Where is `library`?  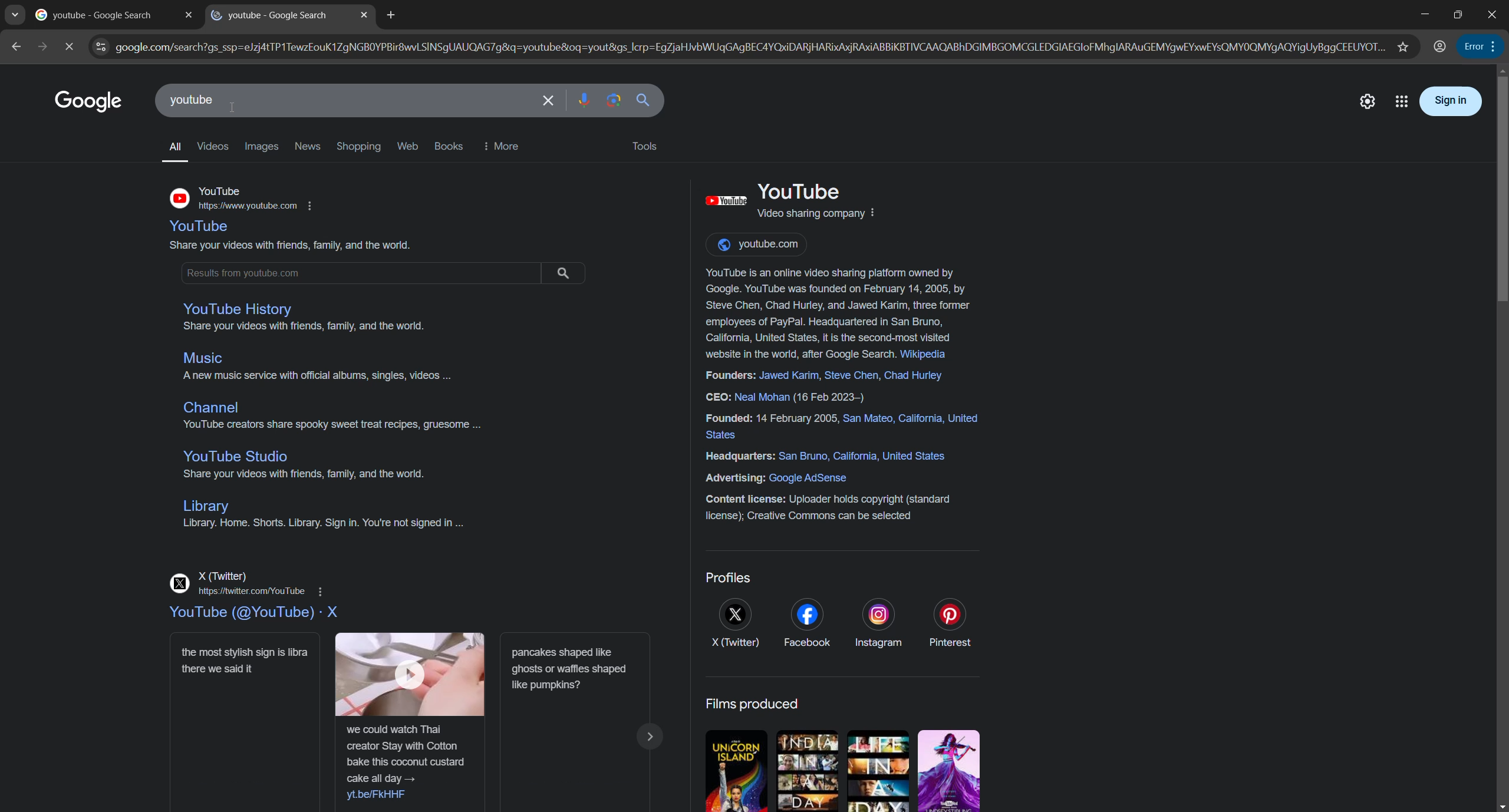 library is located at coordinates (204, 507).